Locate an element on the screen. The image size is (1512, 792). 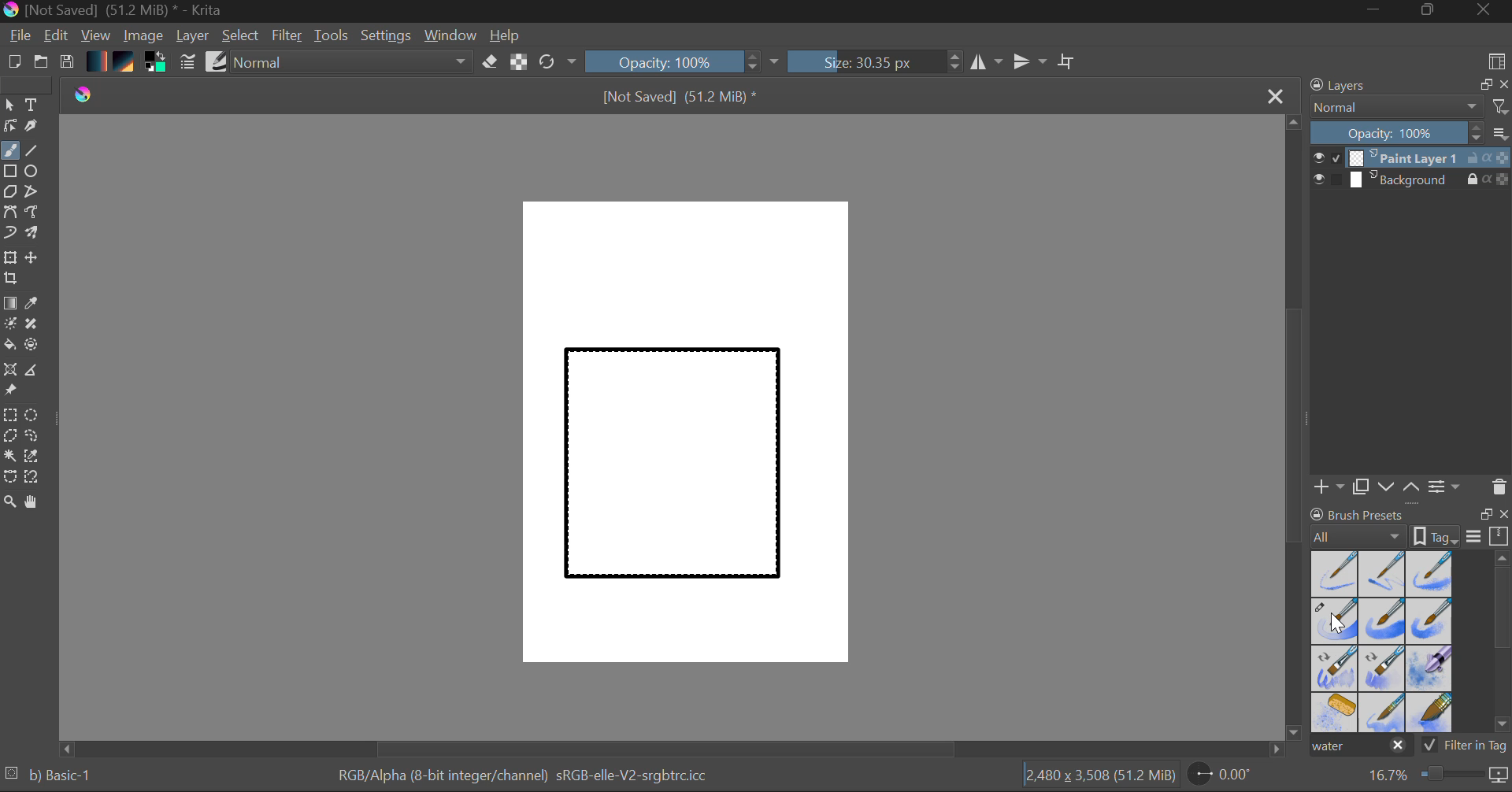
Select Brush Preset is located at coordinates (217, 62).